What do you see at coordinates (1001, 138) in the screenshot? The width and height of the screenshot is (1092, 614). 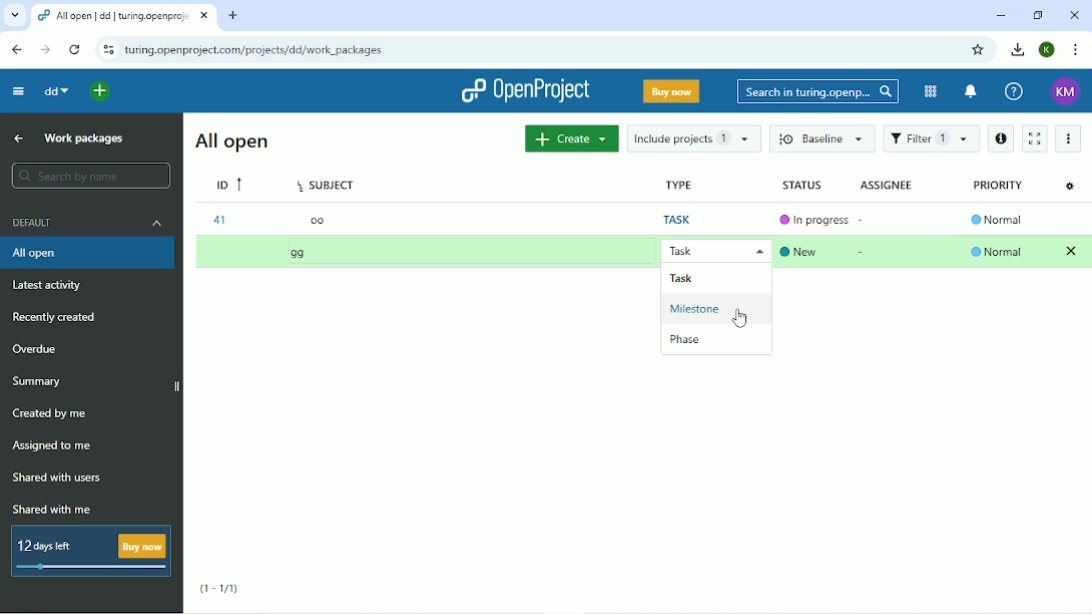 I see `Open details view` at bounding box center [1001, 138].